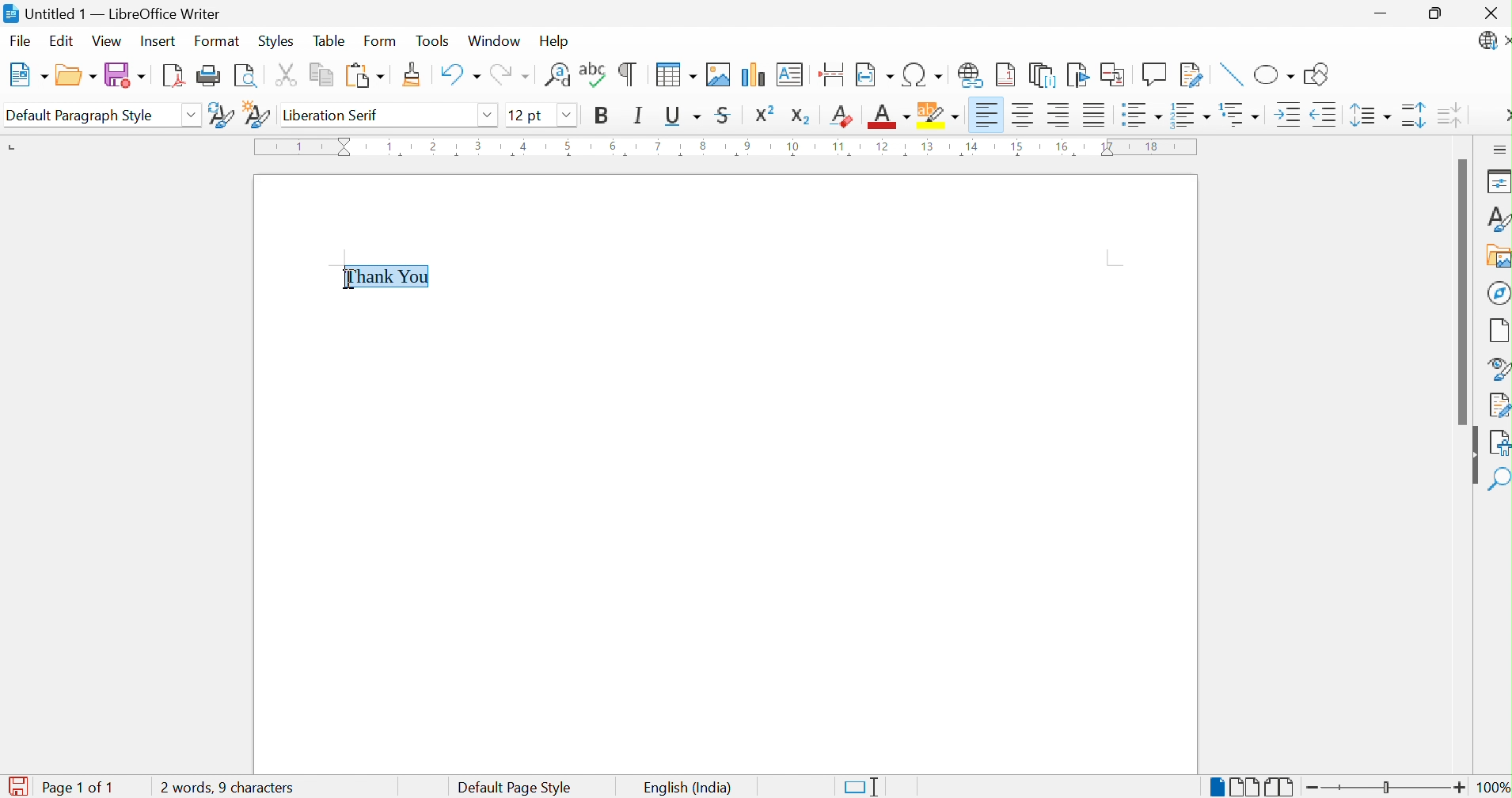 The image size is (1512, 798). What do you see at coordinates (1006, 75) in the screenshot?
I see `Insert Footnote` at bounding box center [1006, 75].